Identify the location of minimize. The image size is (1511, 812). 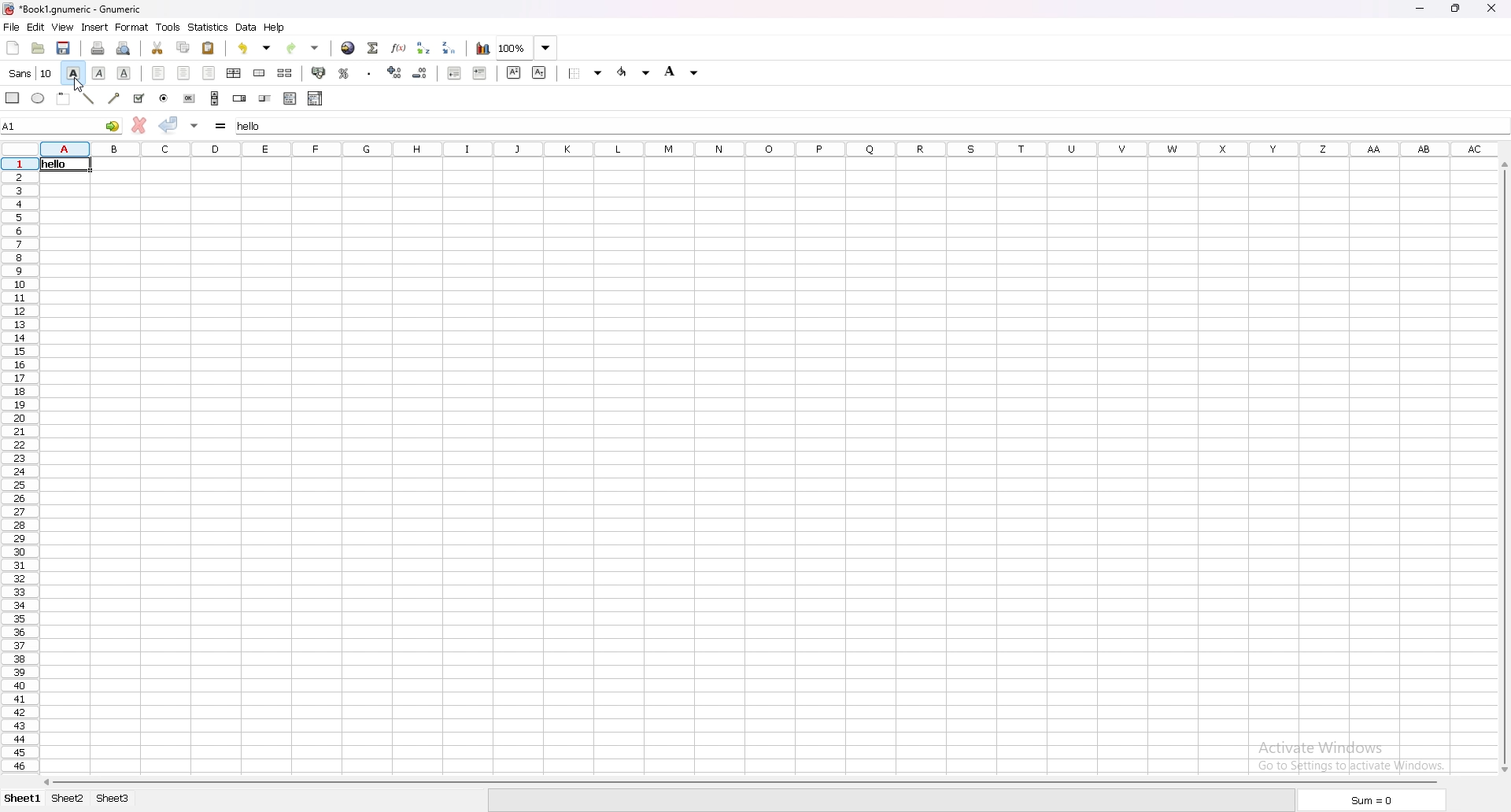
(1422, 9).